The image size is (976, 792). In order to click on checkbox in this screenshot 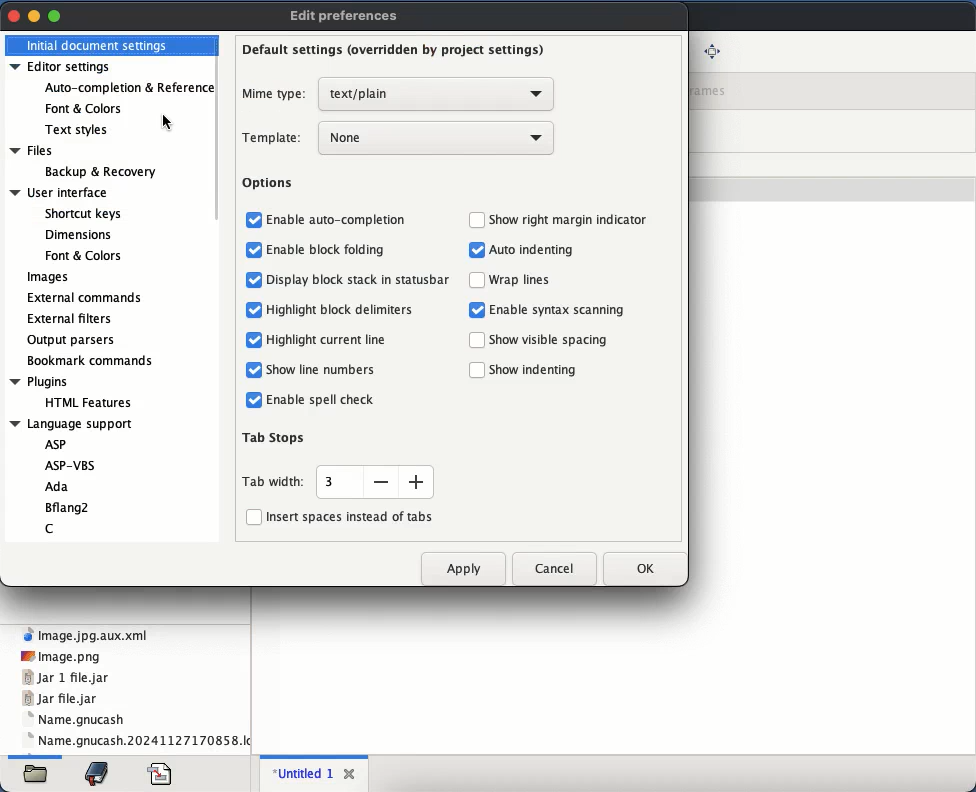, I will do `click(477, 372)`.